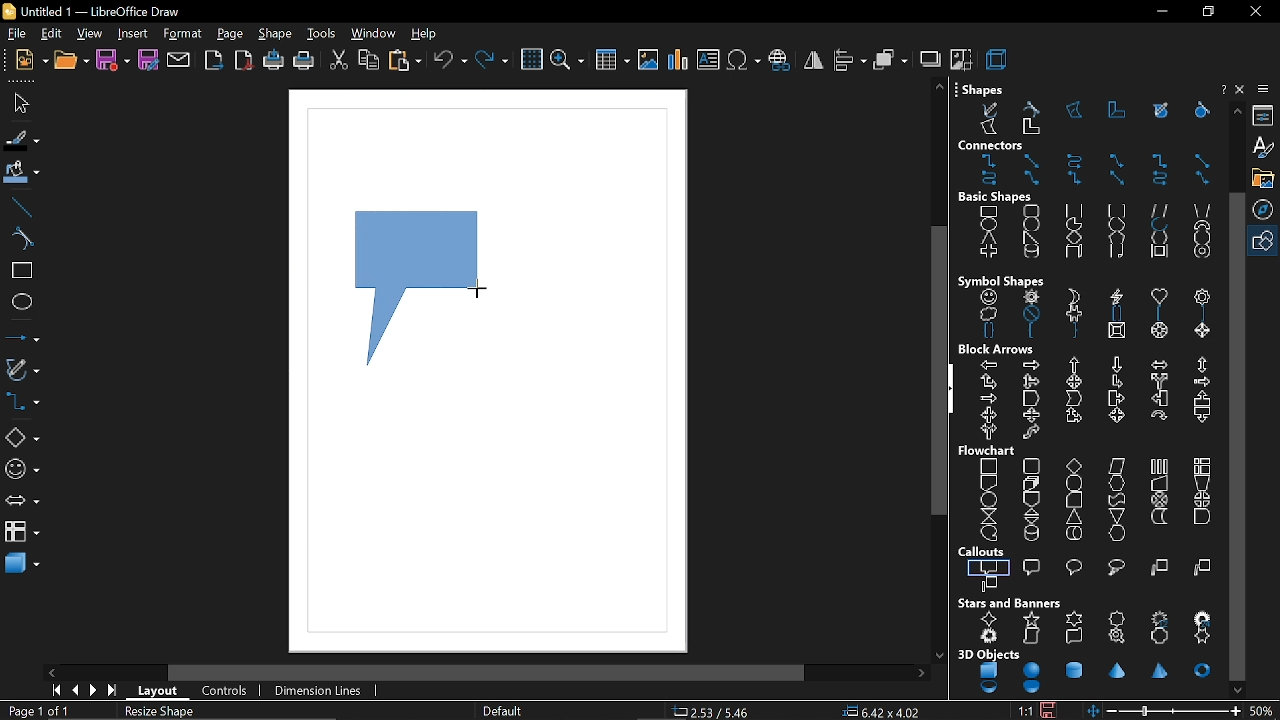 The width and height of the screenshot is (1280, 720). I want to click on export as pdf, so click(245, 61).